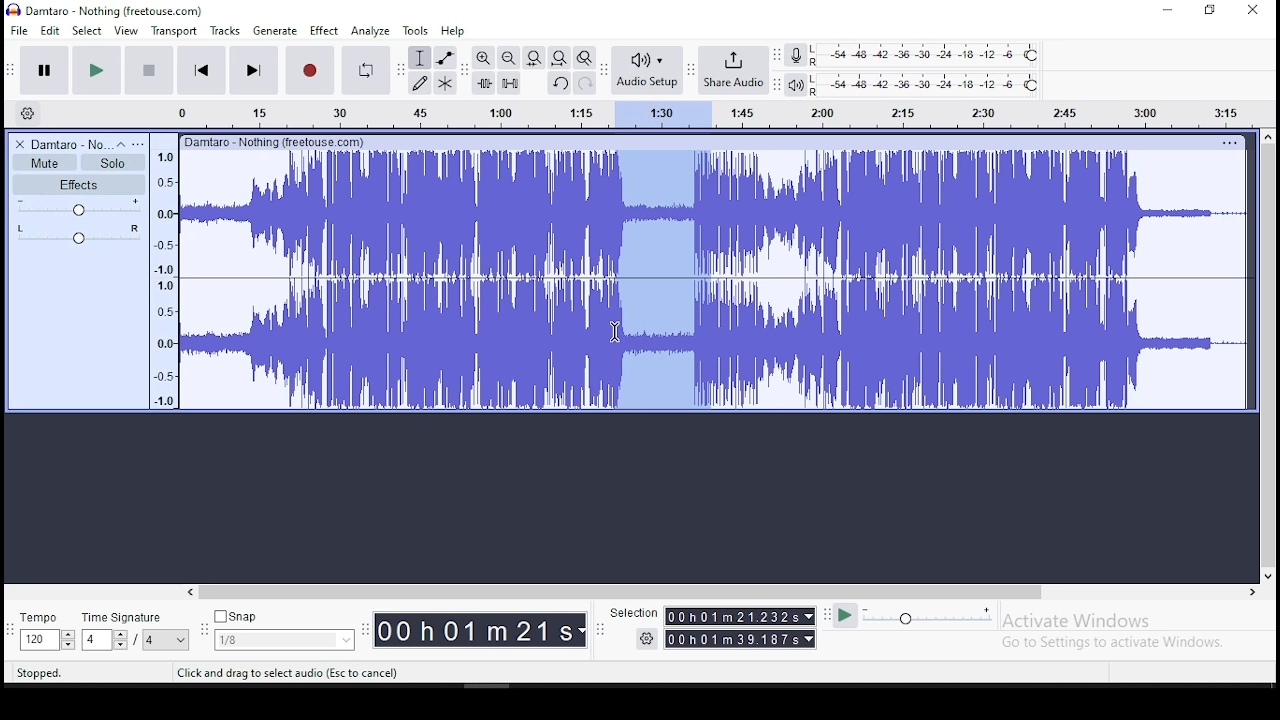 This screenshot has width=1280, height=720. Describe the element at coordinates (1229, 142) in the screenshot. I see `` at that location.